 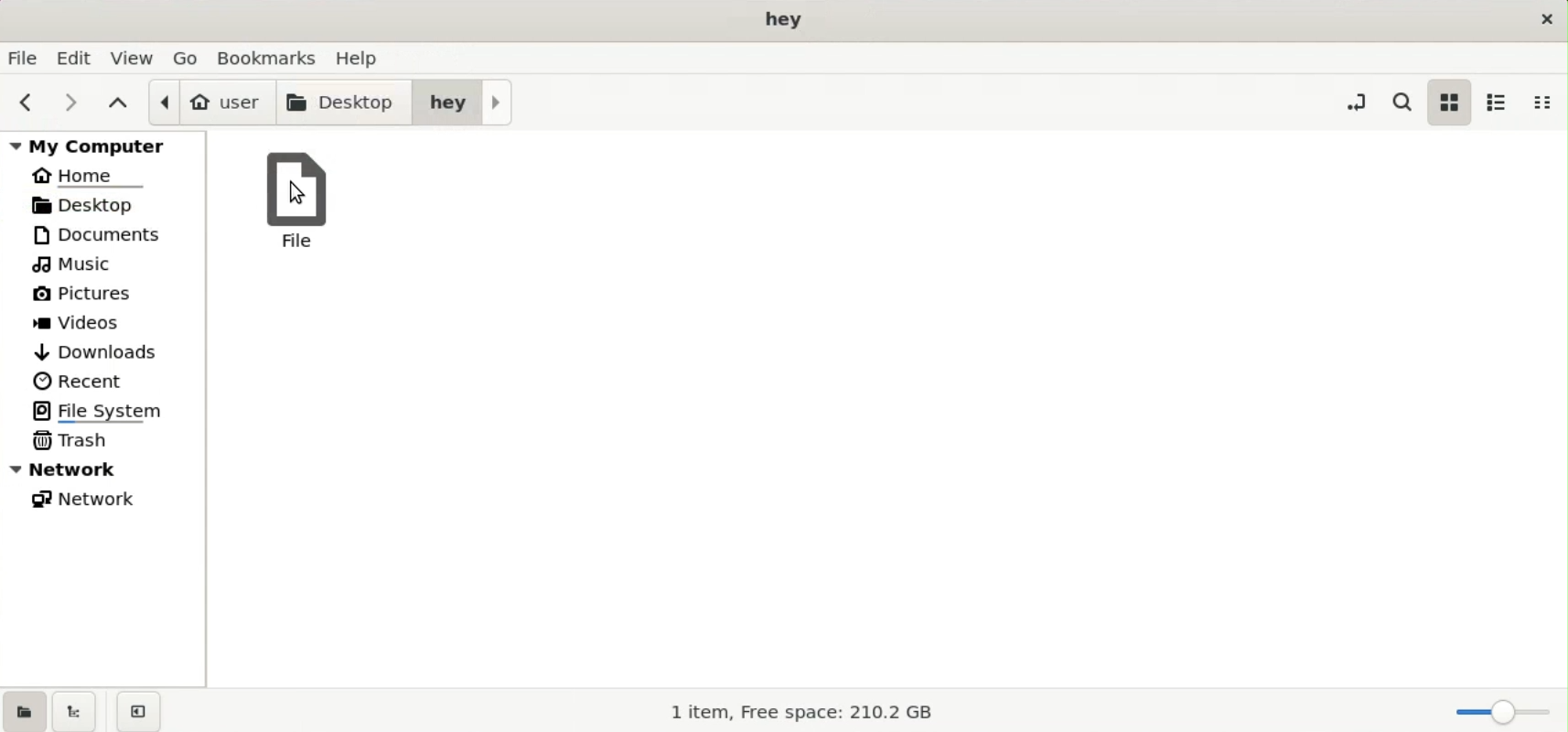 What do you see at coordinates (110, 234) in the screenshot?
I see `document` at bounding box center [110, 234].